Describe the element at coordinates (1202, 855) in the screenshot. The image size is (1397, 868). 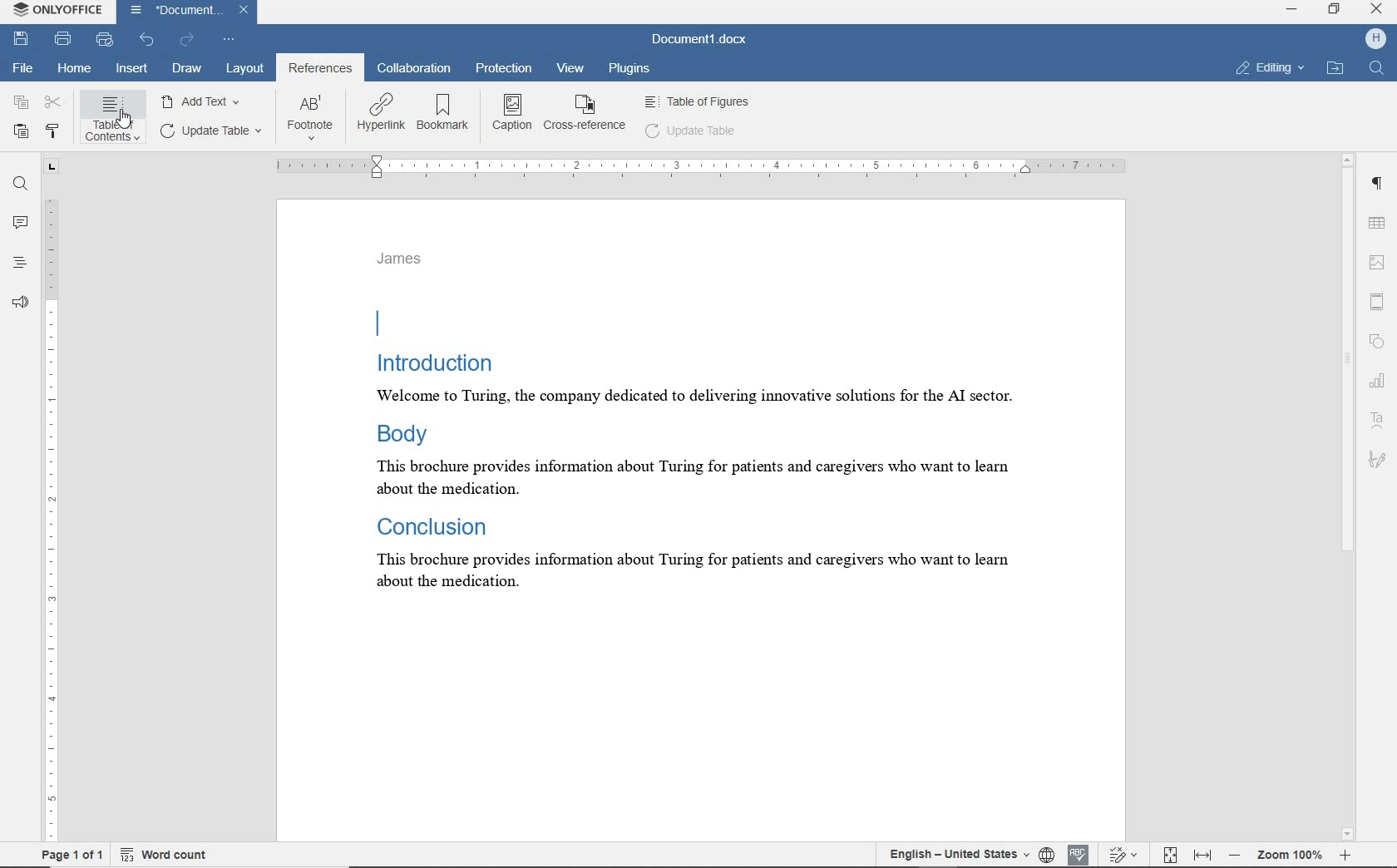
I see `fit to width` at that location.